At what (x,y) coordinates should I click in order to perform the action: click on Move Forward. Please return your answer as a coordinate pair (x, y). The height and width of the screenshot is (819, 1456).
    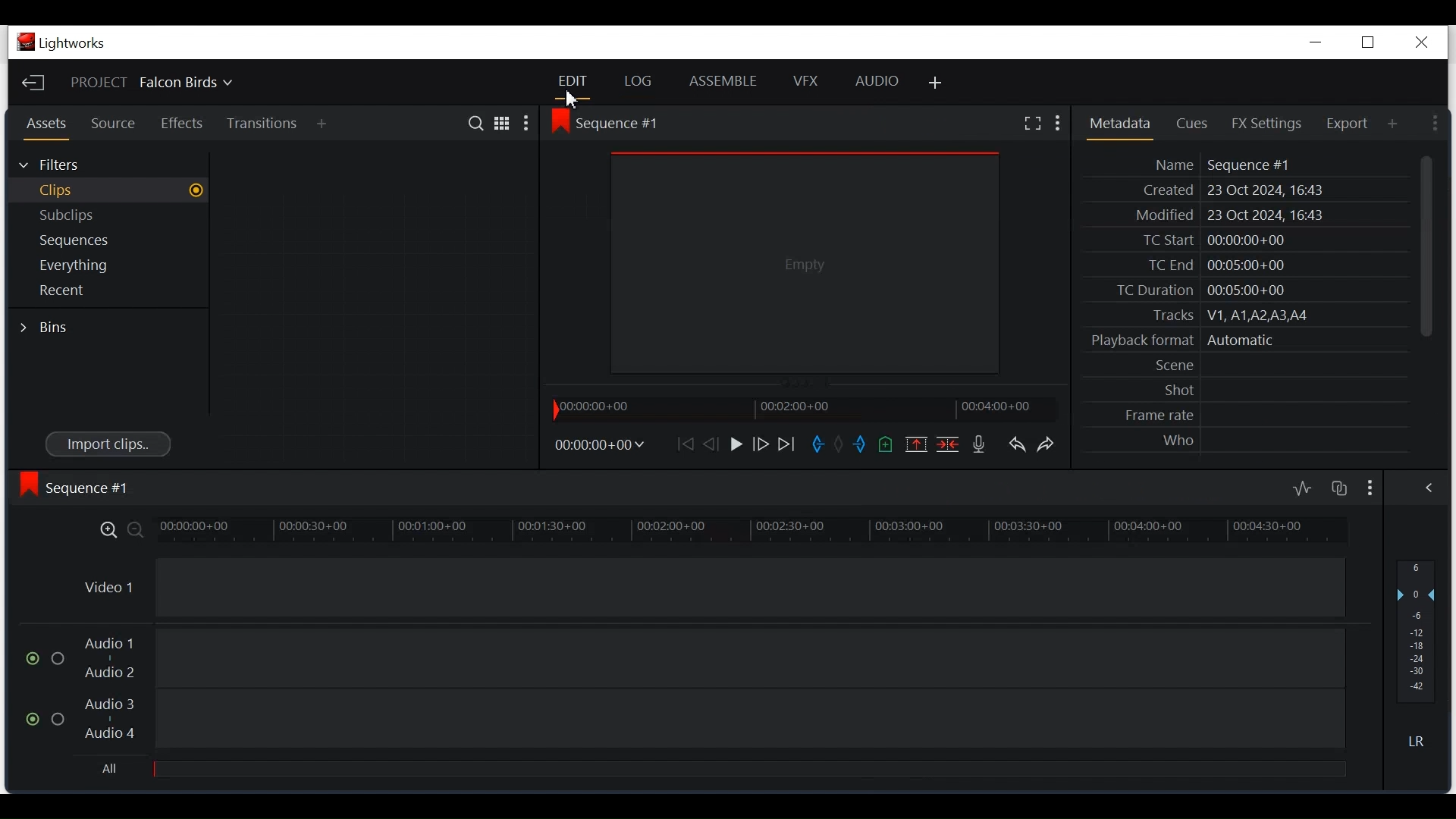
    Looking at the image, I should click on (790, 443).